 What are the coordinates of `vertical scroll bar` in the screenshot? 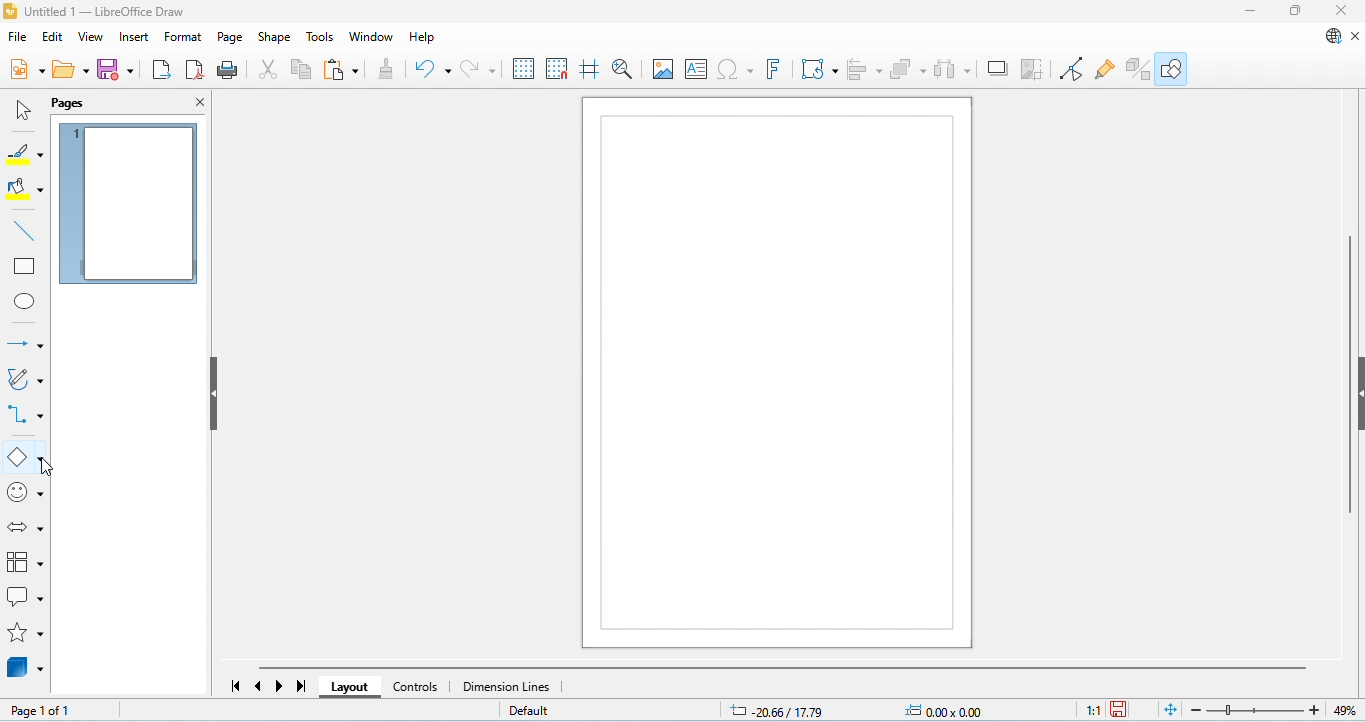 It's located at (1349, 378).